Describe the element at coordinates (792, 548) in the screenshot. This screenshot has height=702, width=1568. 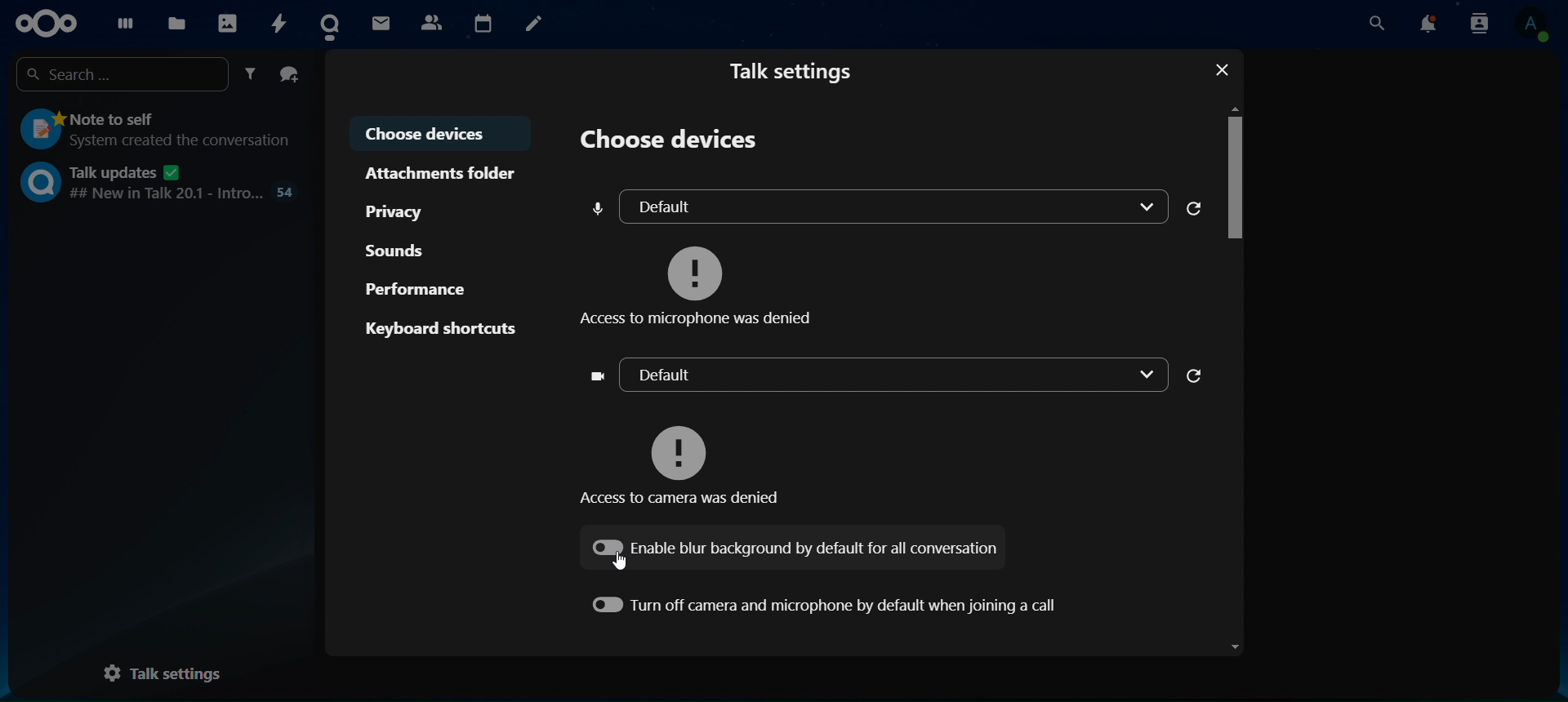
I see `enable blur background by default for all conversation` at that location.